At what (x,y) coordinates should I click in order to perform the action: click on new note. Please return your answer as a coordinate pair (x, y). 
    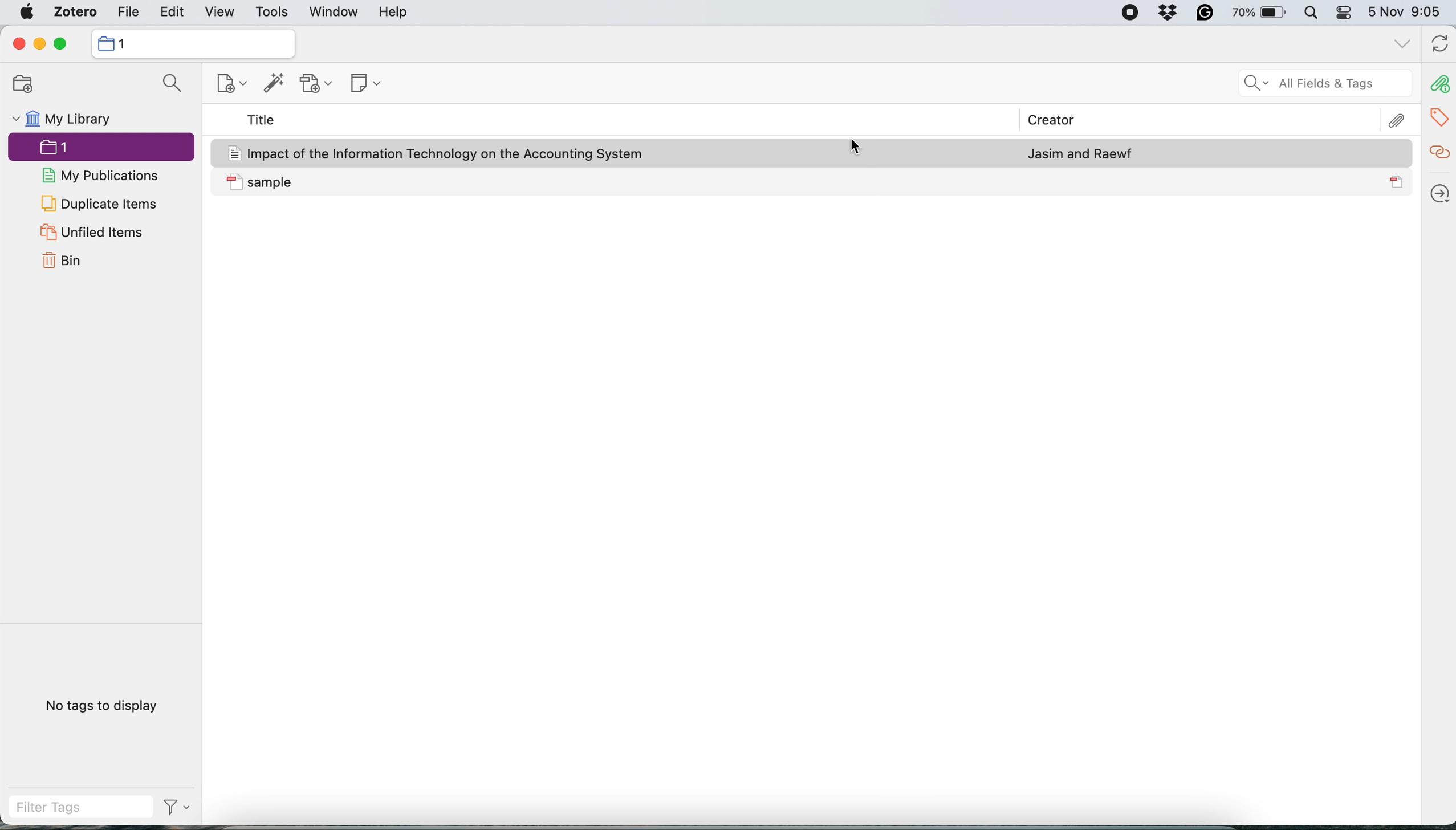
    Looking at the image, I should click on (361, 81).